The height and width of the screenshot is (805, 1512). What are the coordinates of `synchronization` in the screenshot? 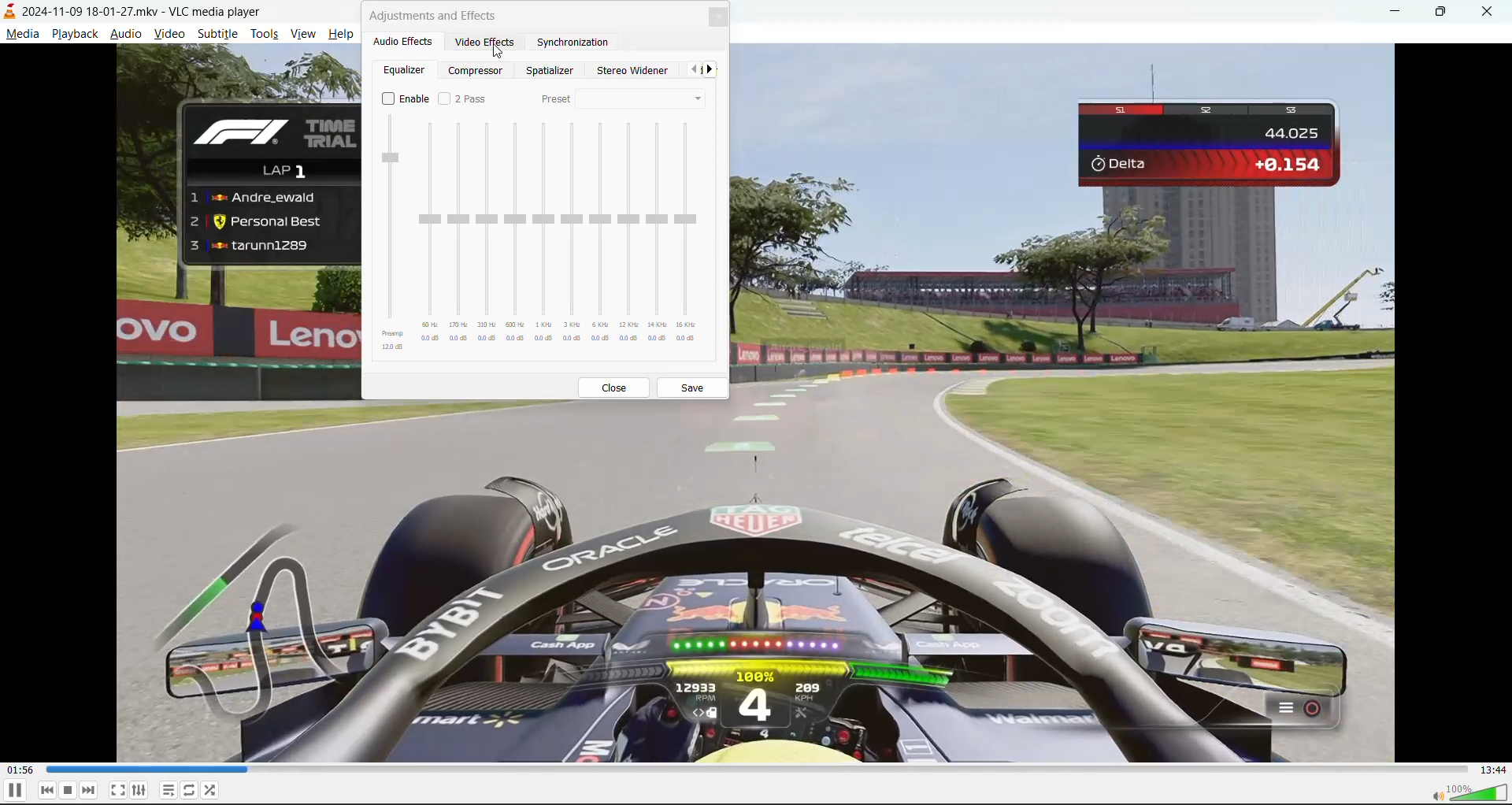 It's located at (565, 44).